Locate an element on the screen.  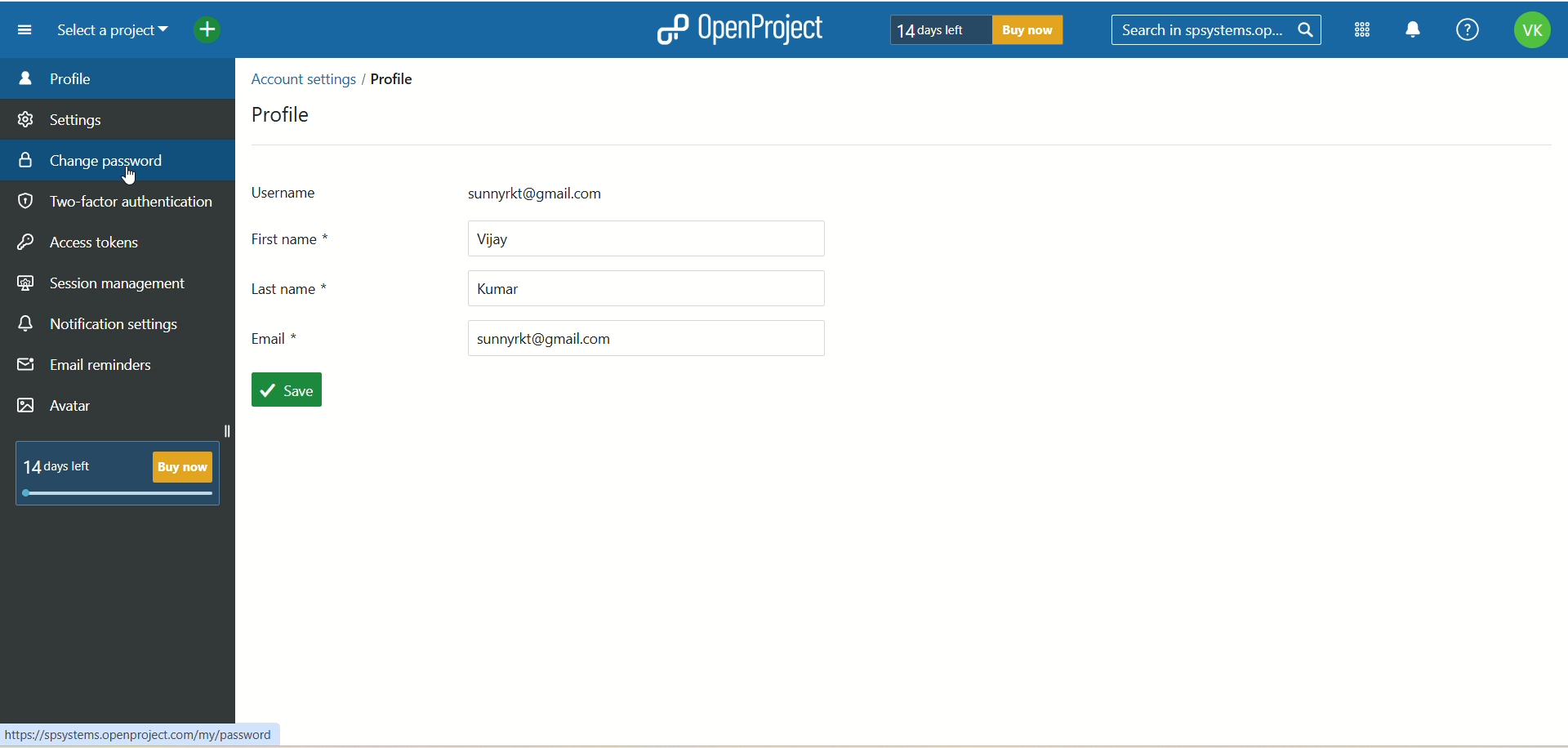
module is located at coordinates (1365, 30).